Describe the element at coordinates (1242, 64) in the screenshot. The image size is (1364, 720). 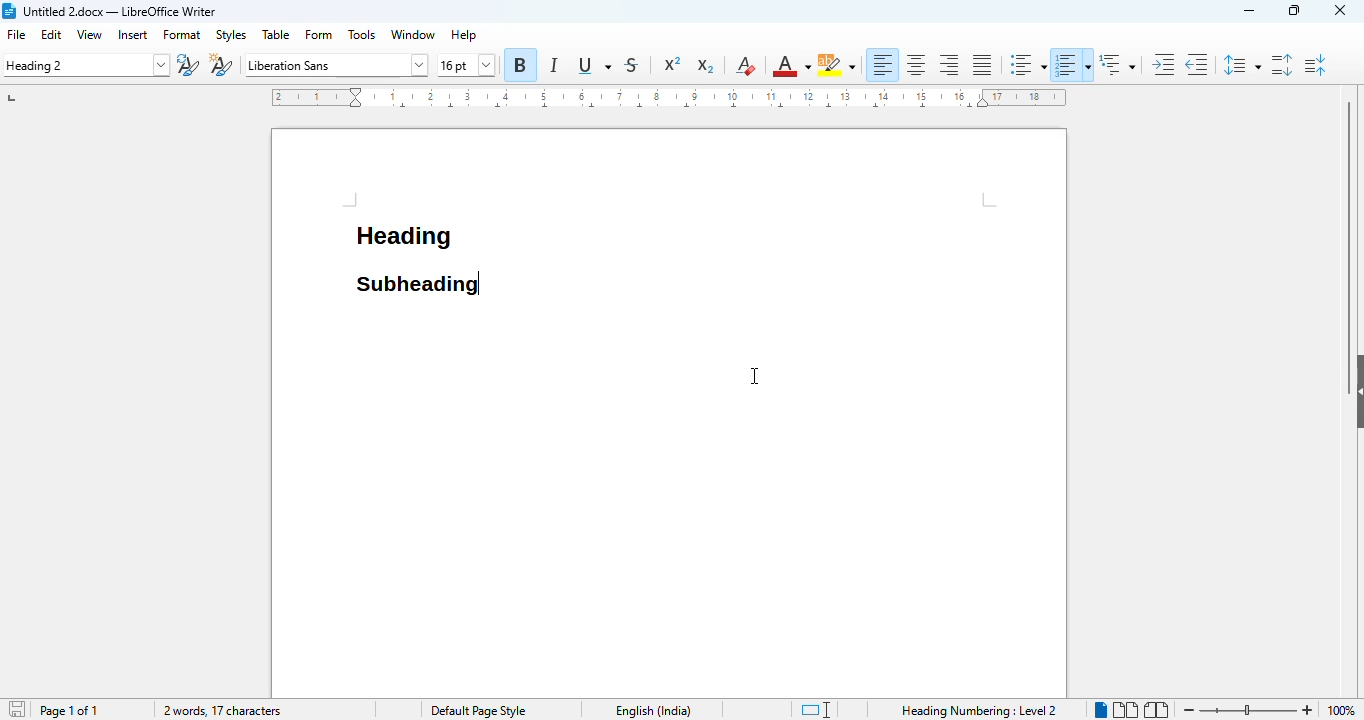
I see `set line spacing` at that location.